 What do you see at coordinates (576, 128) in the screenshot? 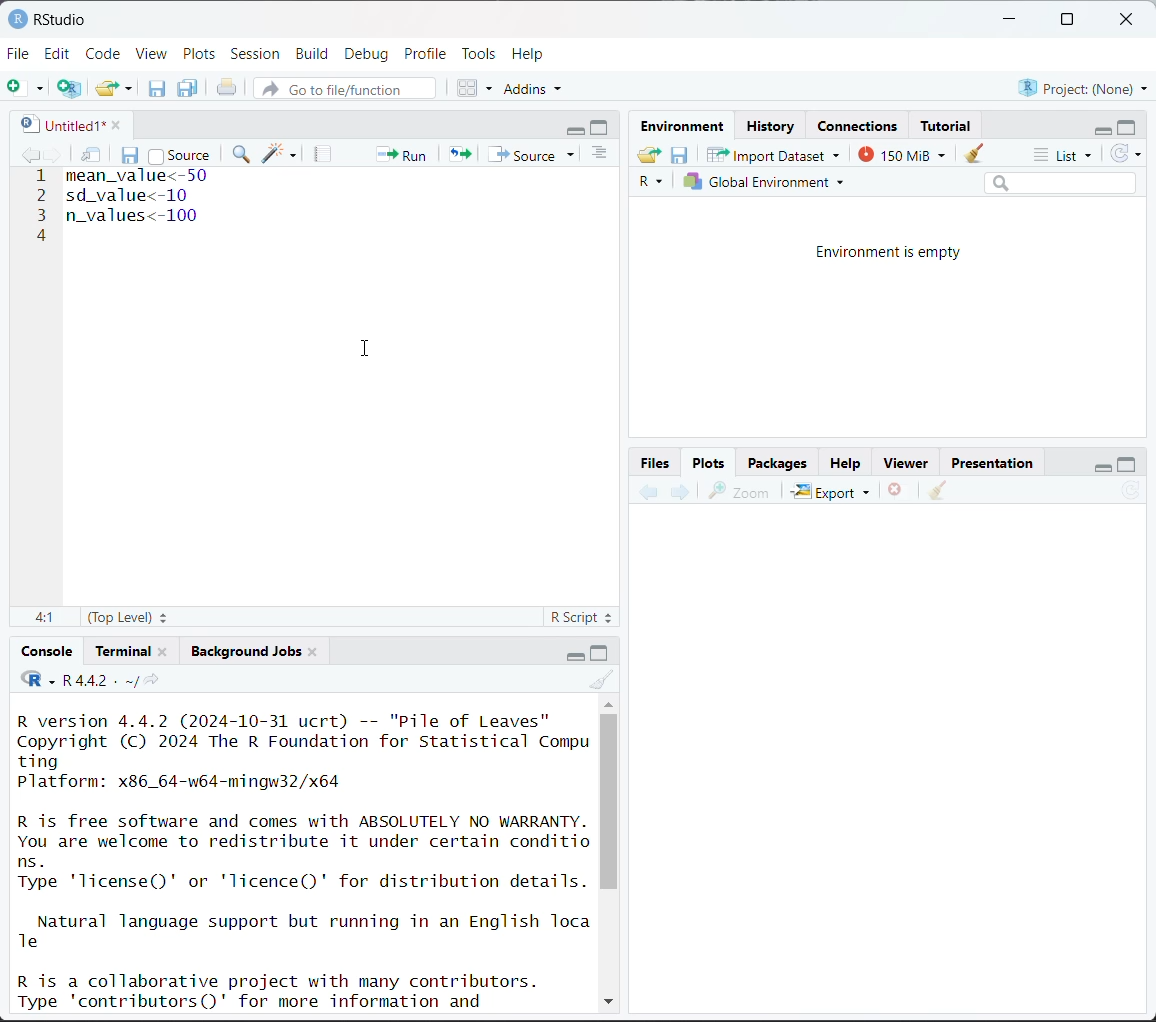
I see `minimize` at bounding box center [576, 128].